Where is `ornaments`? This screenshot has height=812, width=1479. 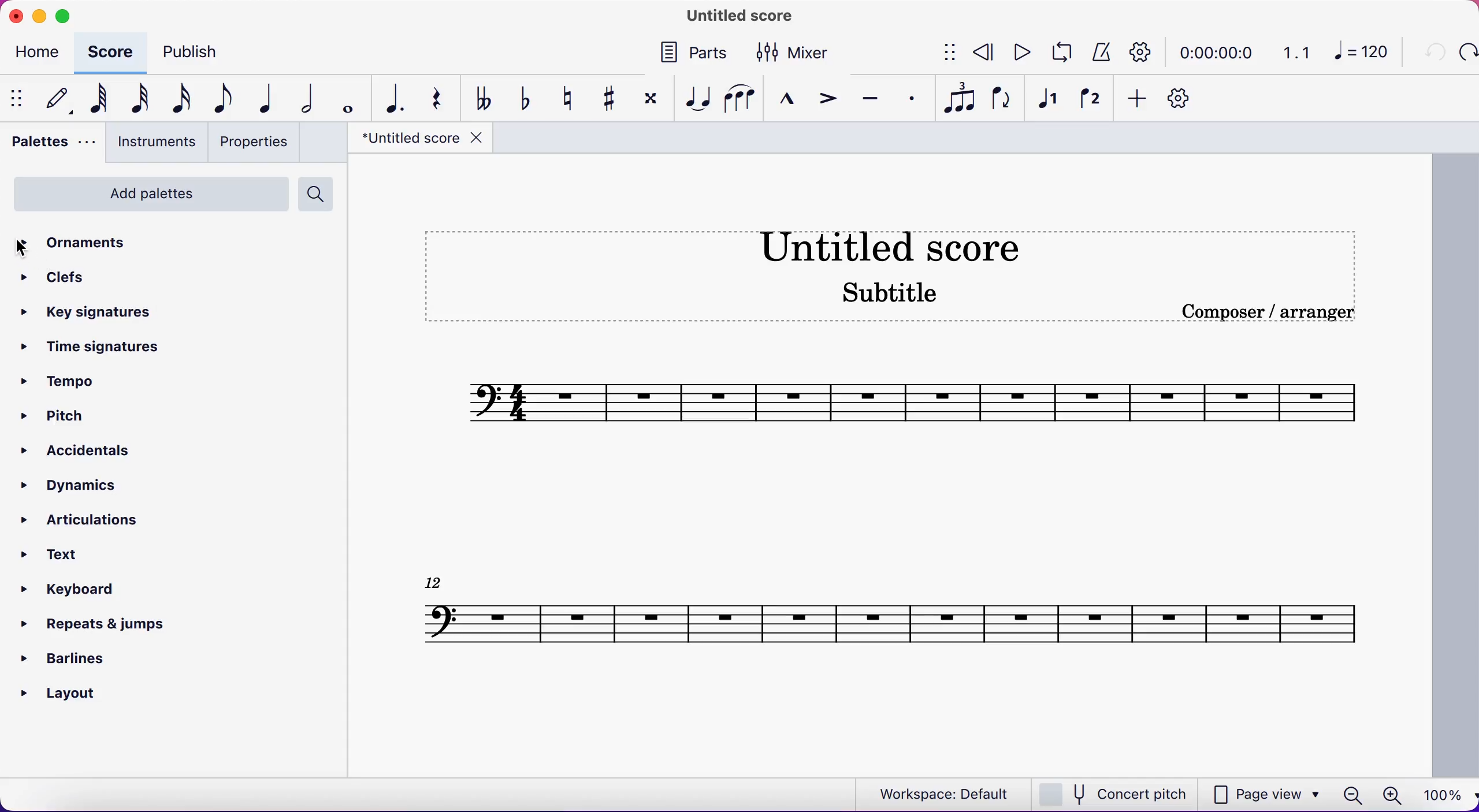 ornaments is located at coordinates (97, 243).